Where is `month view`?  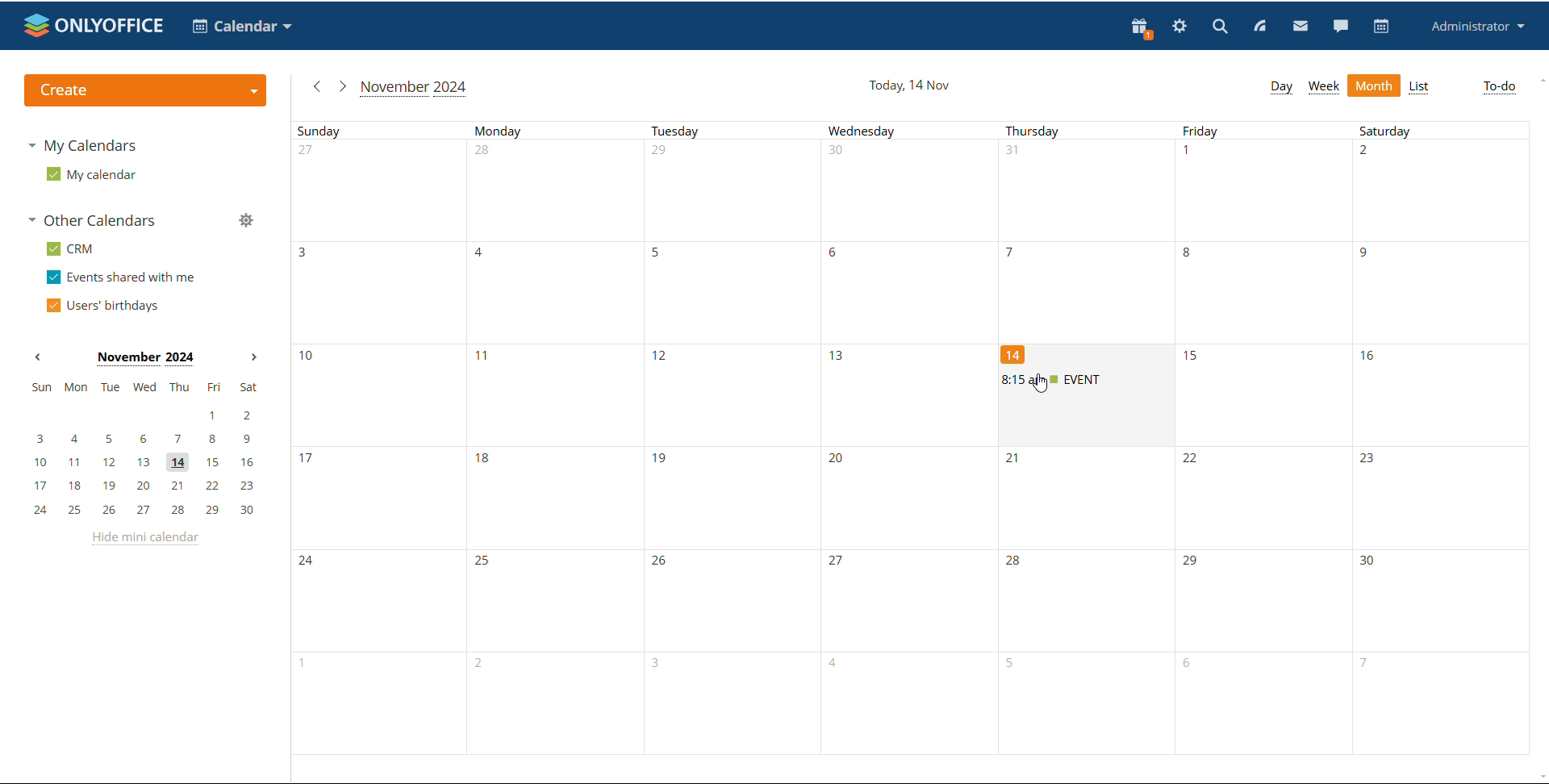 month view is located at coordinates (1375, 85).